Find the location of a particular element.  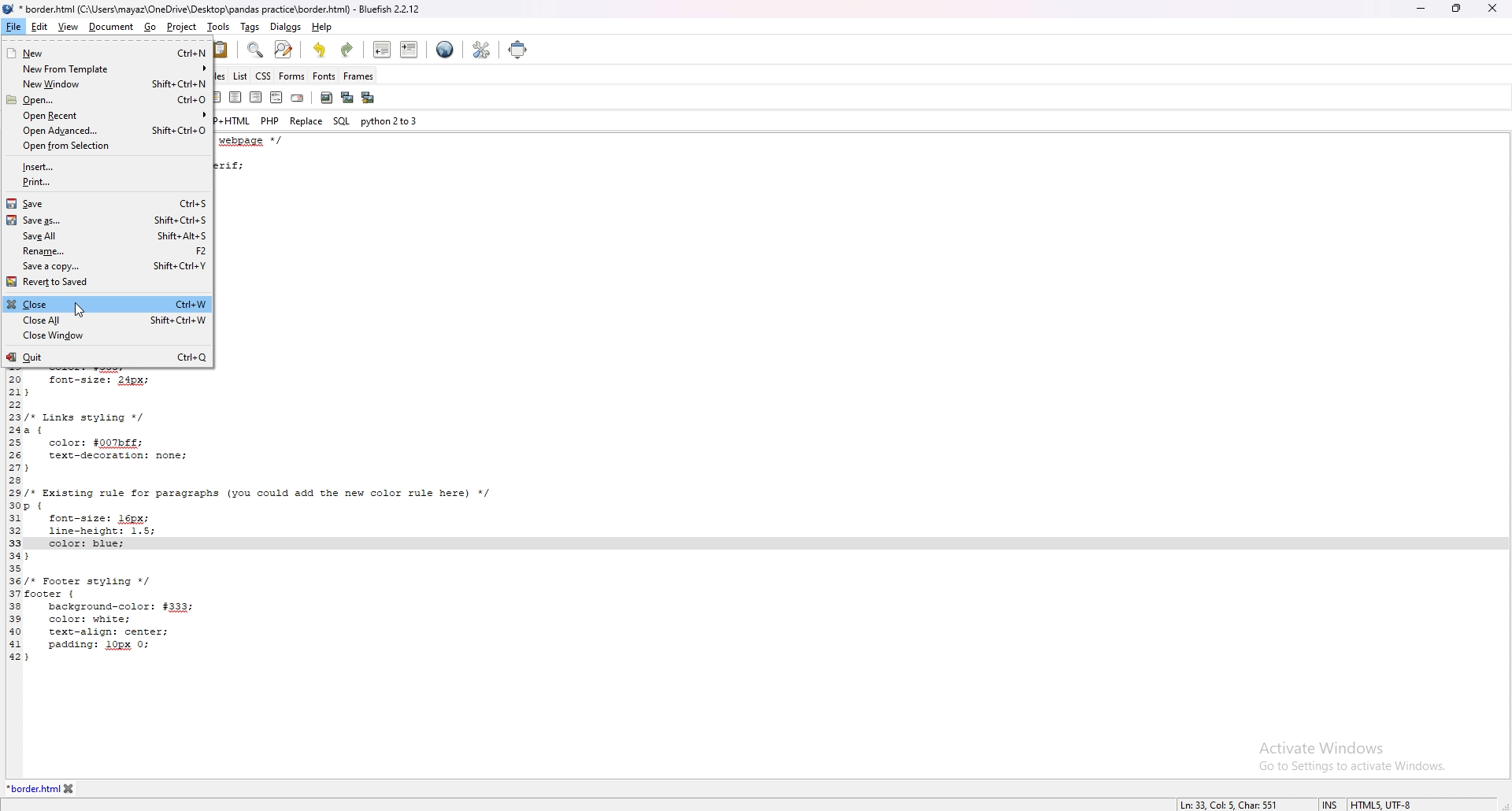

close is located at coordinates (1493, 9).